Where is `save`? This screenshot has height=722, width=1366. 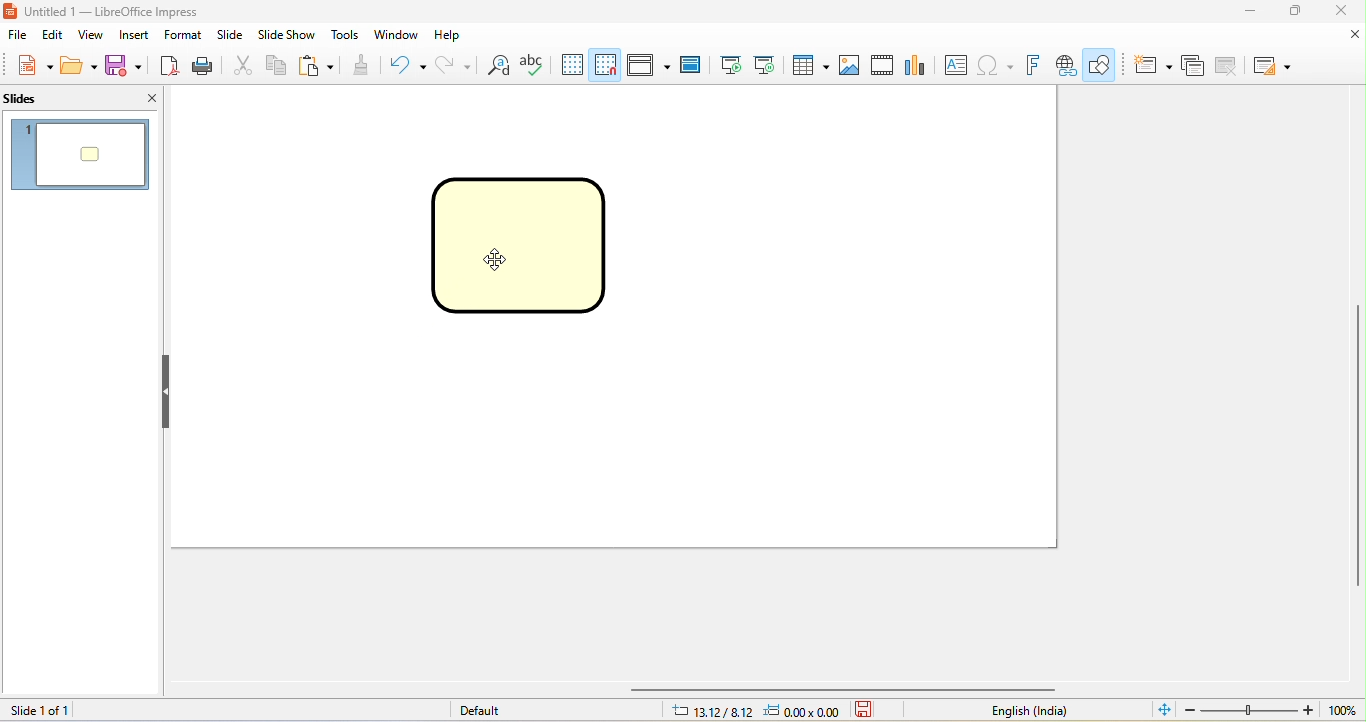
save is located at coordinates (125, 64).